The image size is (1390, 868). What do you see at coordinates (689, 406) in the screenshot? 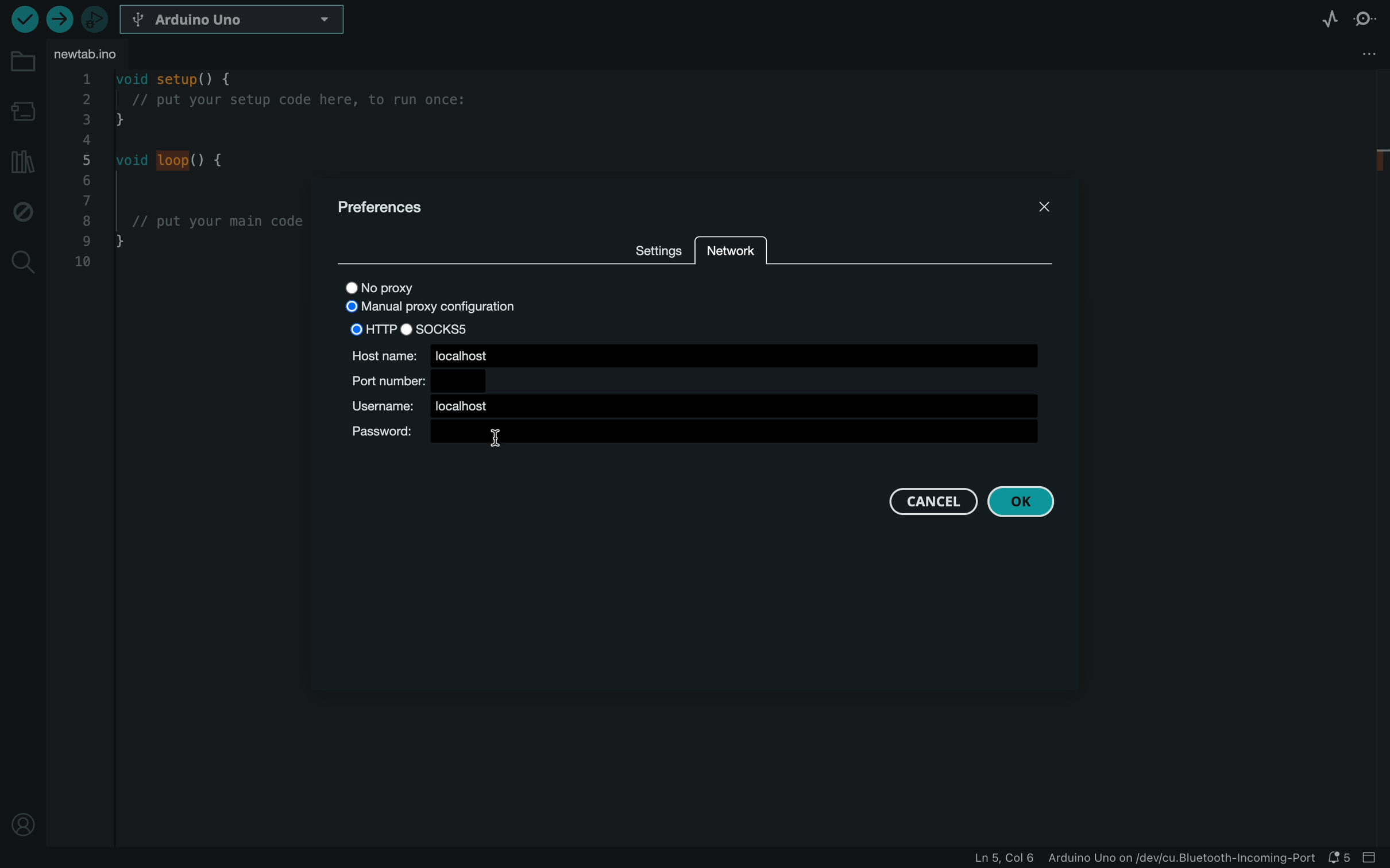
I see `username` at bounding box center [689, 406].